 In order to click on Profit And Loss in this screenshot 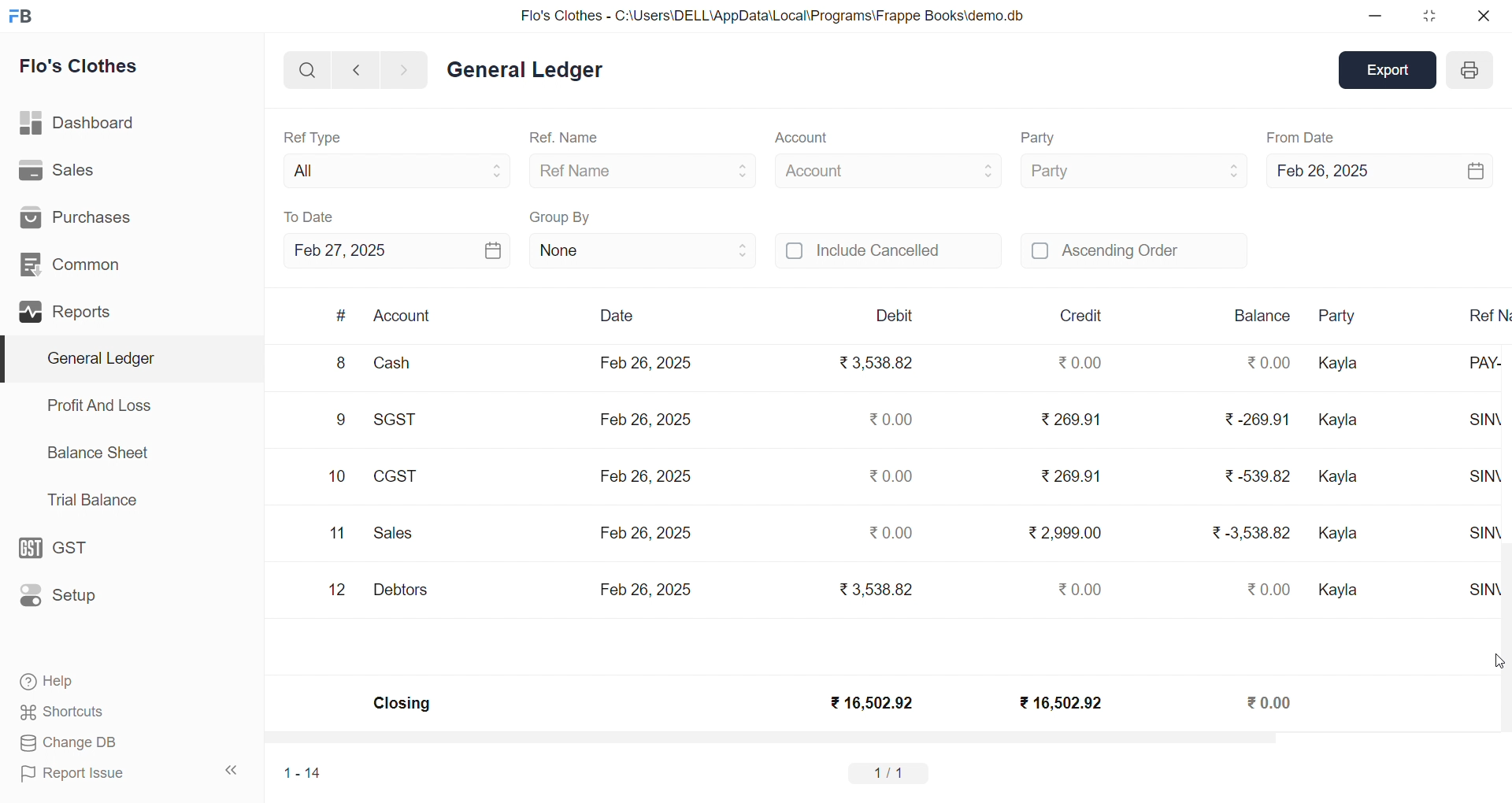, I will do `click(98, 405)`.